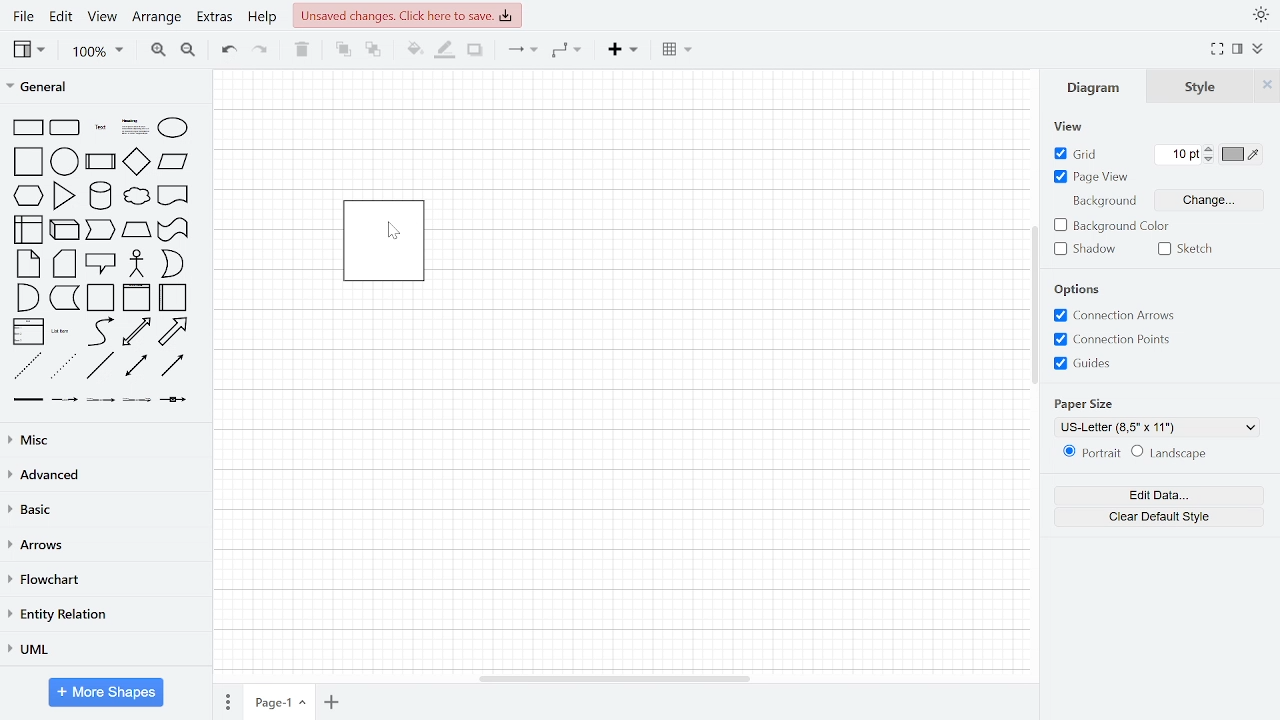 This screenshot has height=720, width=1280. Describe the element at coordinates (1115, 339) in the screenshot. I see `connection points` at that location.